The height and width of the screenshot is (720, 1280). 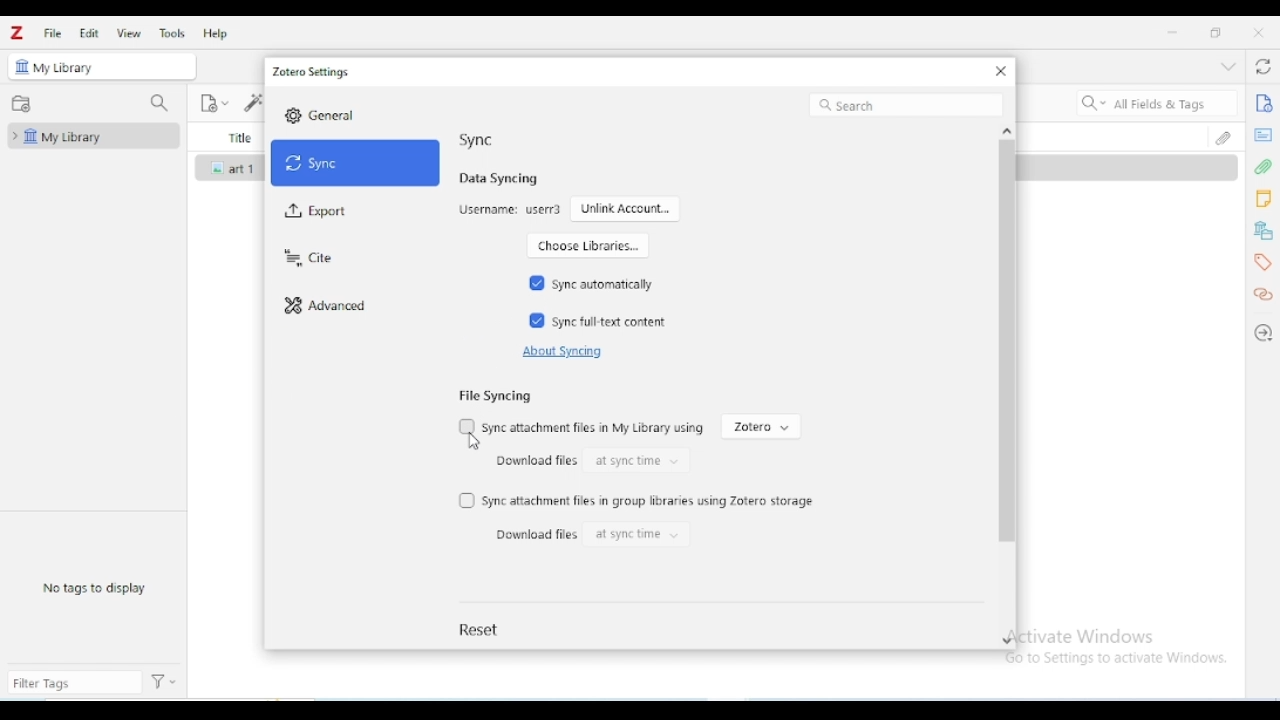 What do you see at coordinates (52, 34) in the screenshot?
I see `file` at bounding box center [52, 34].